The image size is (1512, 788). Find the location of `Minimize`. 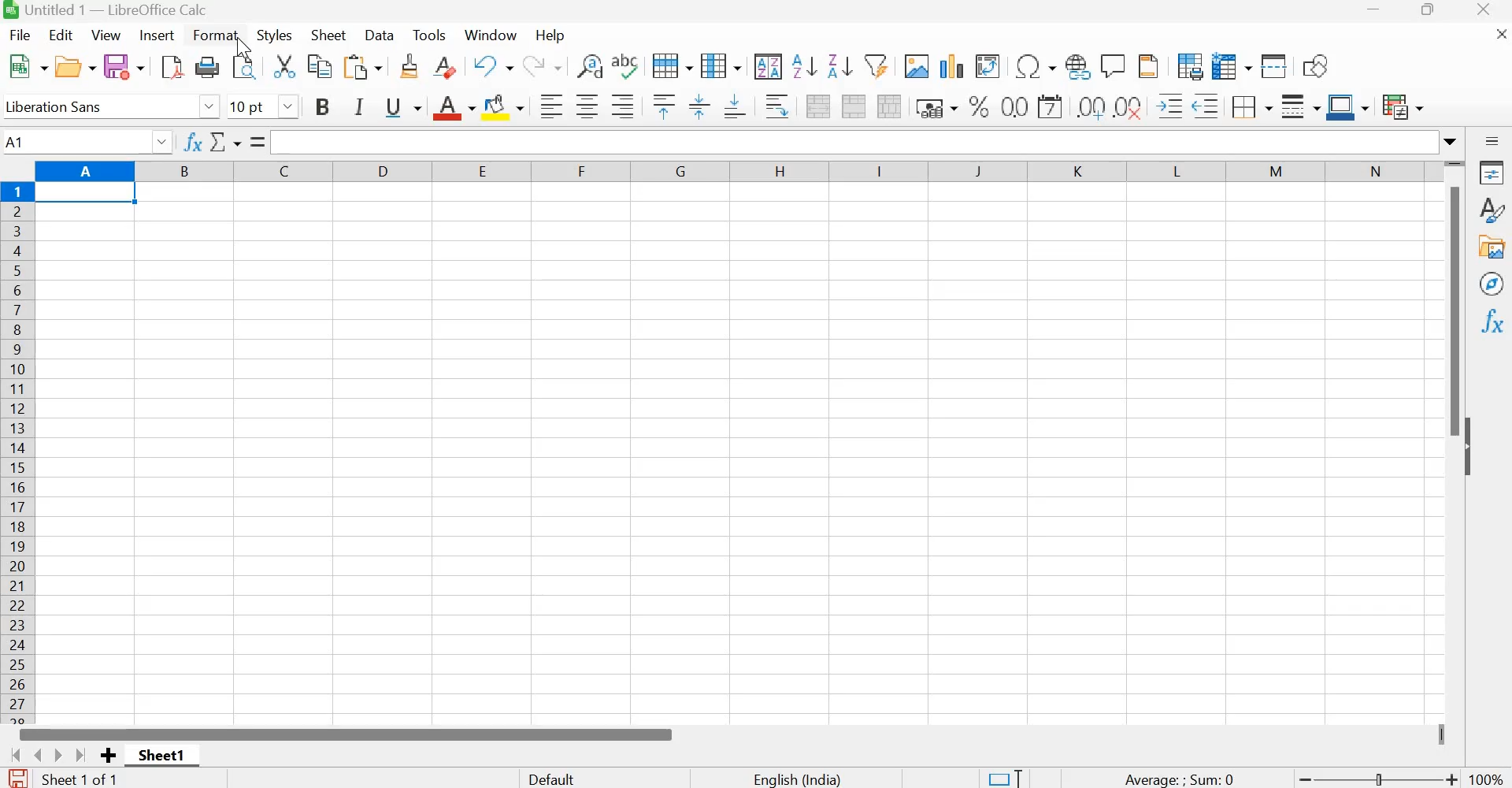

Minimize is located at coordinates (1373, 13).